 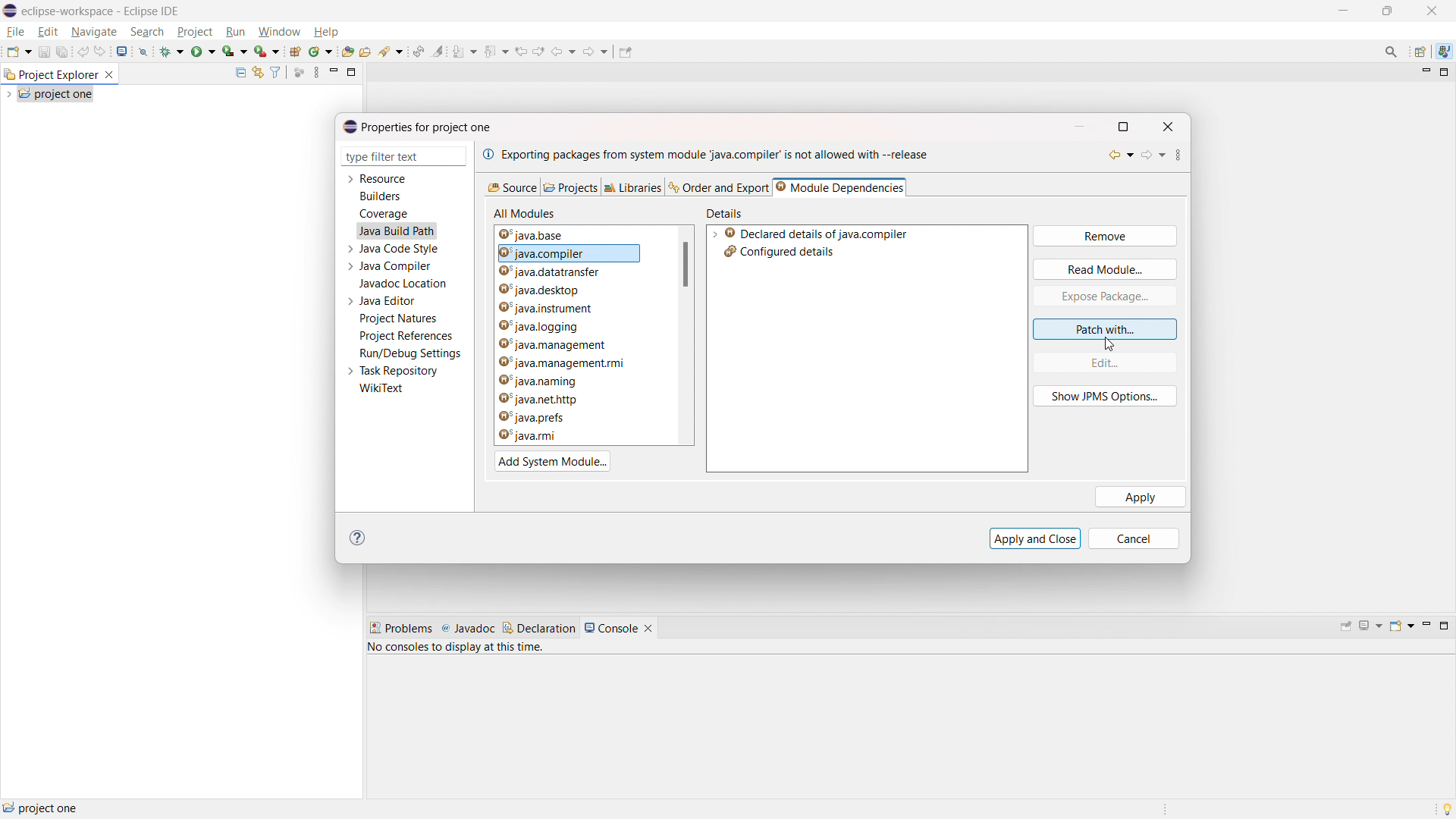 I want to click on maximize, so click(x=1130, y=126).